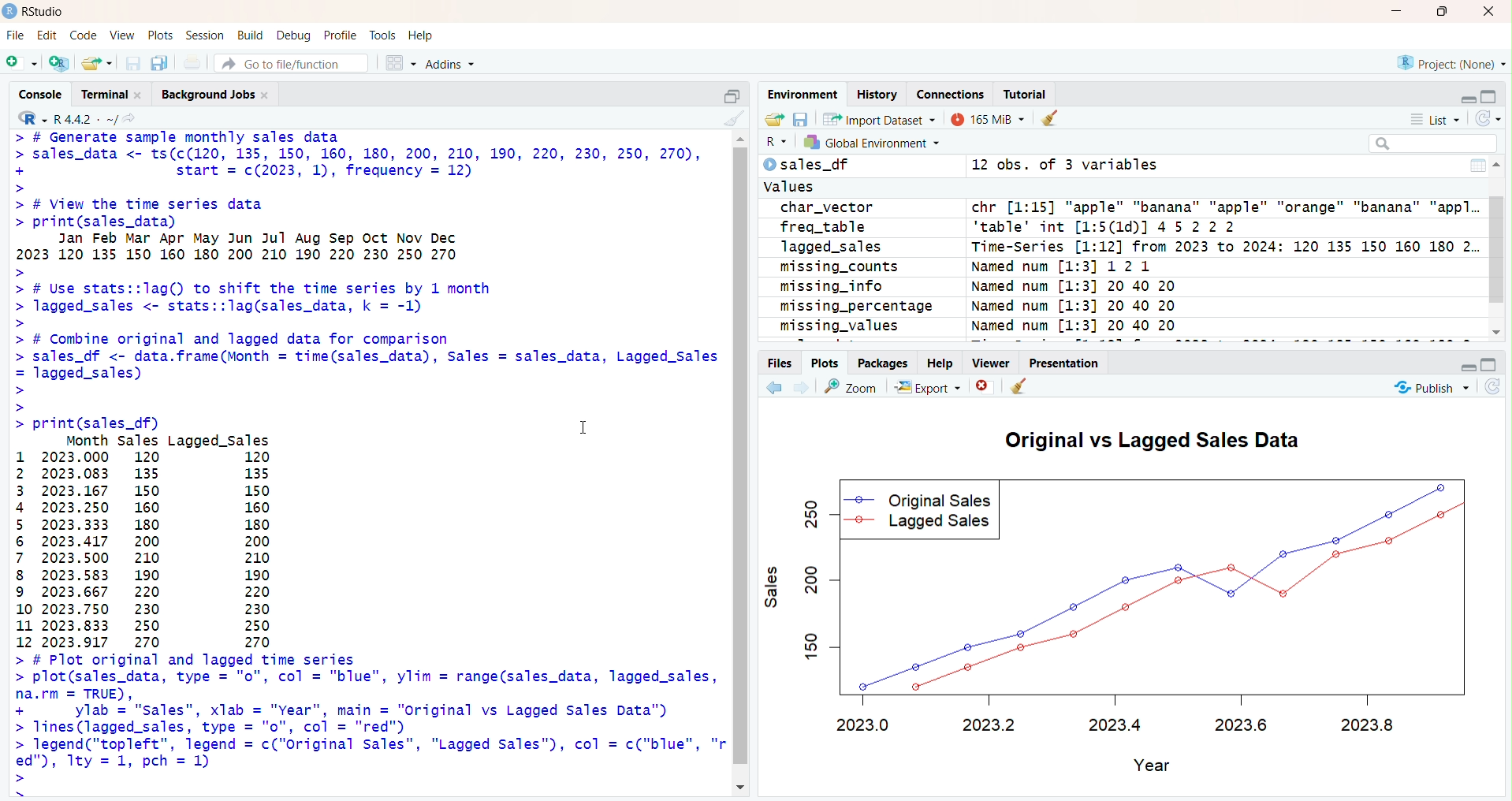 Image resolution: width=1512 pixels, height=801 pixels. Describe the element at coordinates (773, 120) in the screenshot. I see `load workspace` at that location.